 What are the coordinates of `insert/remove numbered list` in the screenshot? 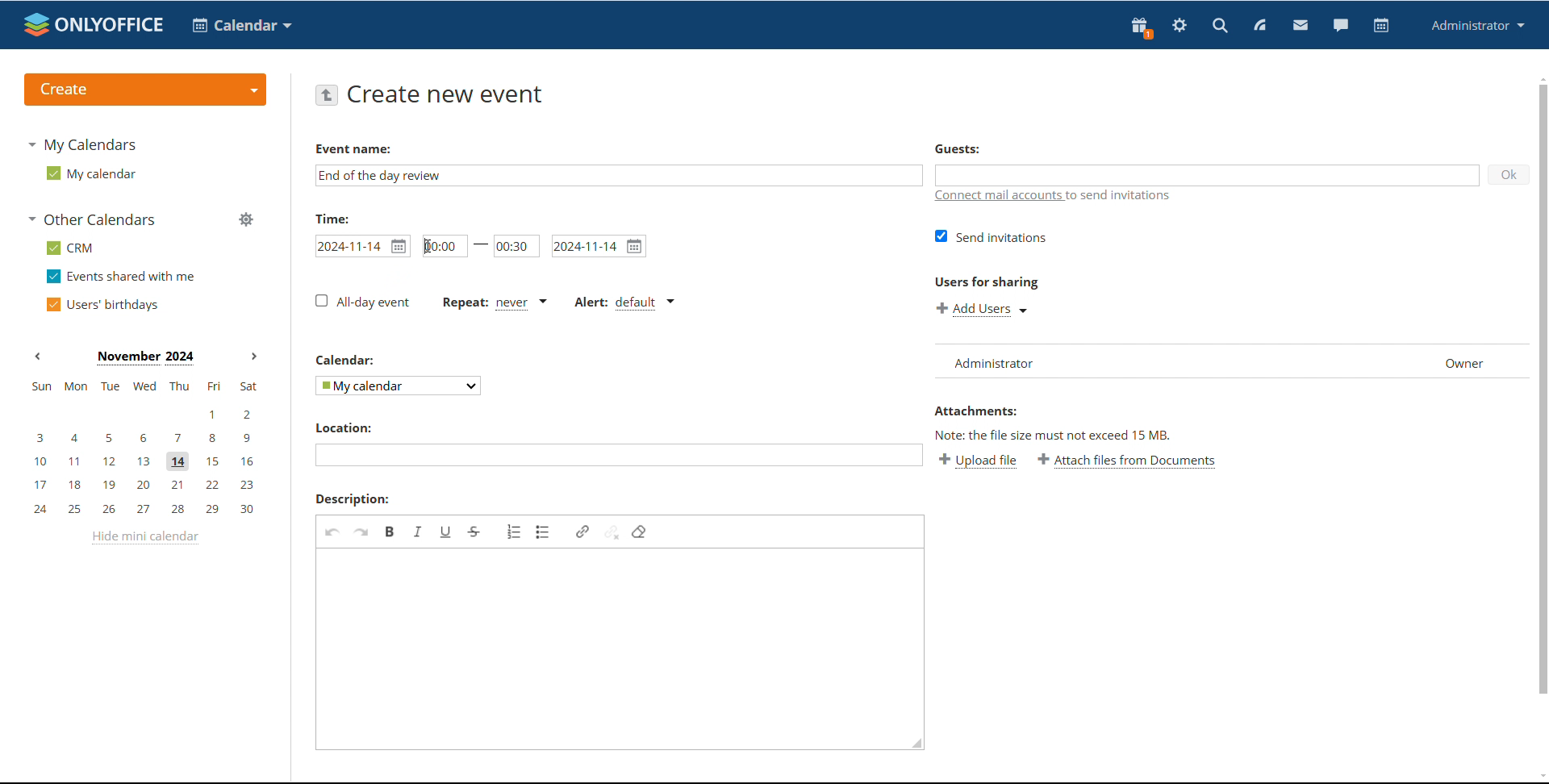 It's located at (515, 532).